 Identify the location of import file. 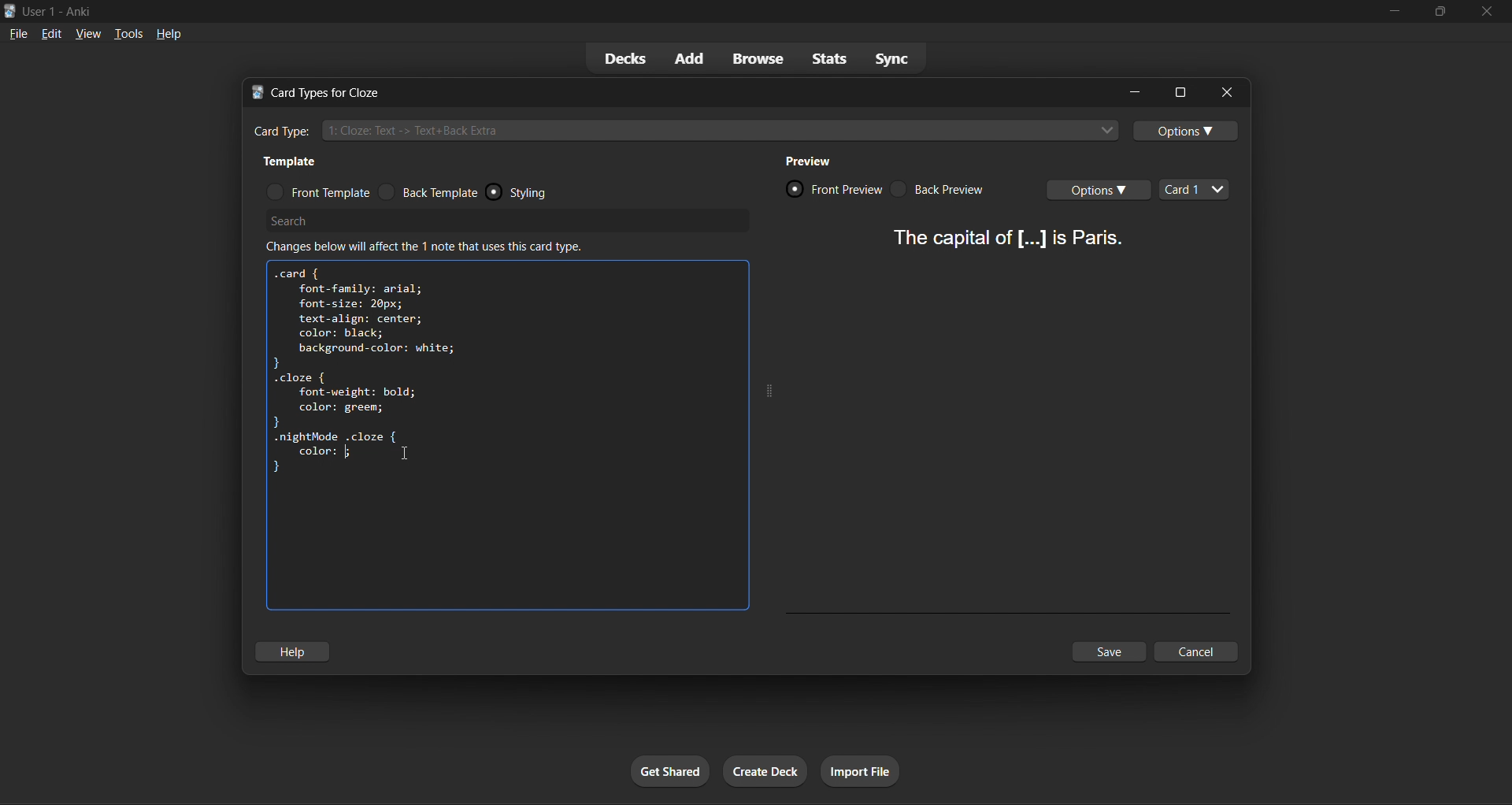
(862, 768).